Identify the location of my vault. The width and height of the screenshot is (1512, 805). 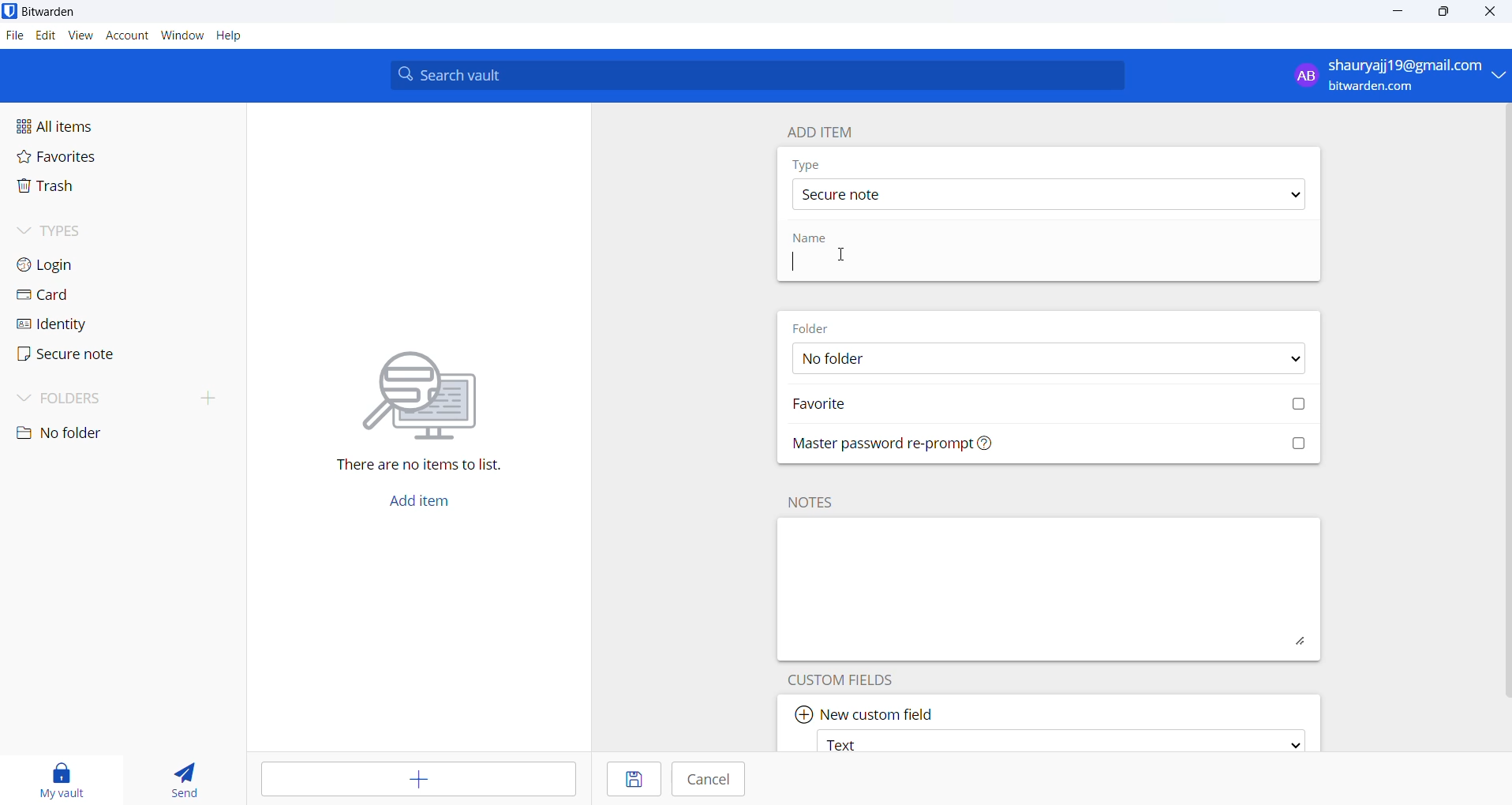
(68, 777).